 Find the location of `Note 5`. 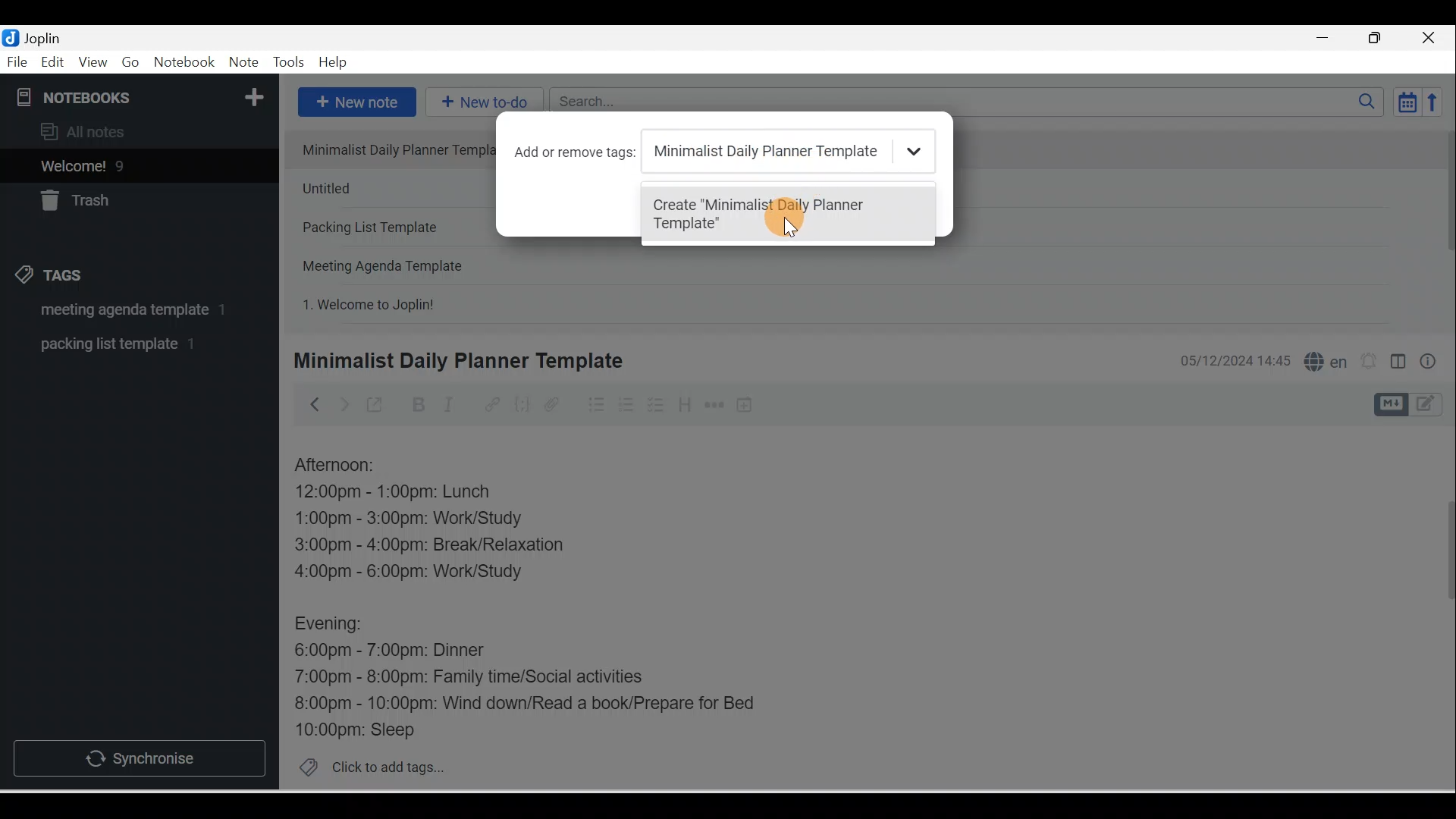

Note 5 is located at coordinates (424, 303).